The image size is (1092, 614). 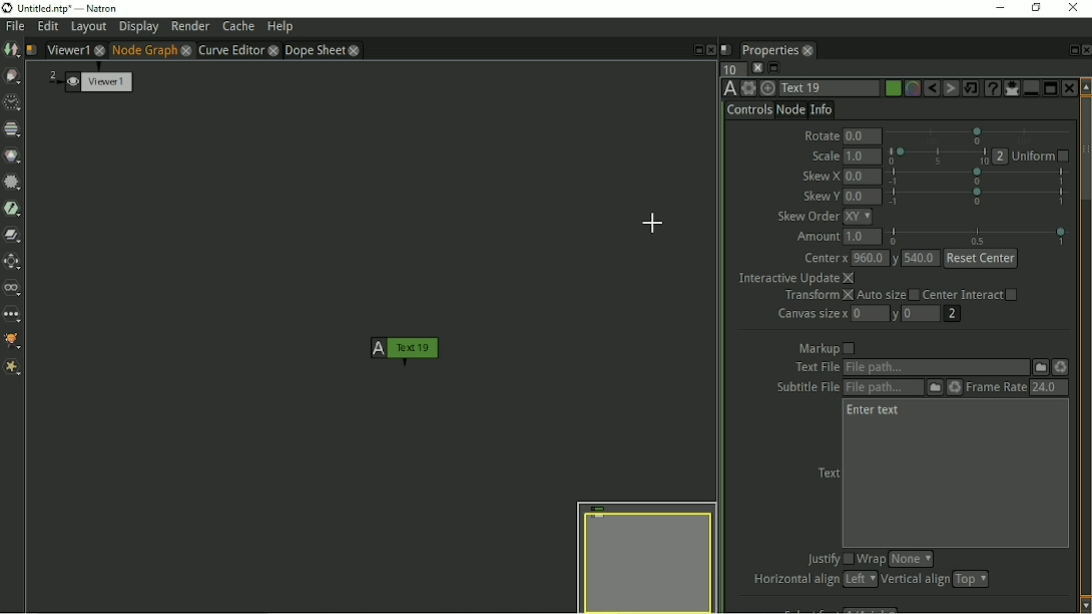 What do you see at coordinates (75, 8) in the screenshot?
I see `title` at bounding box center [75, 8].